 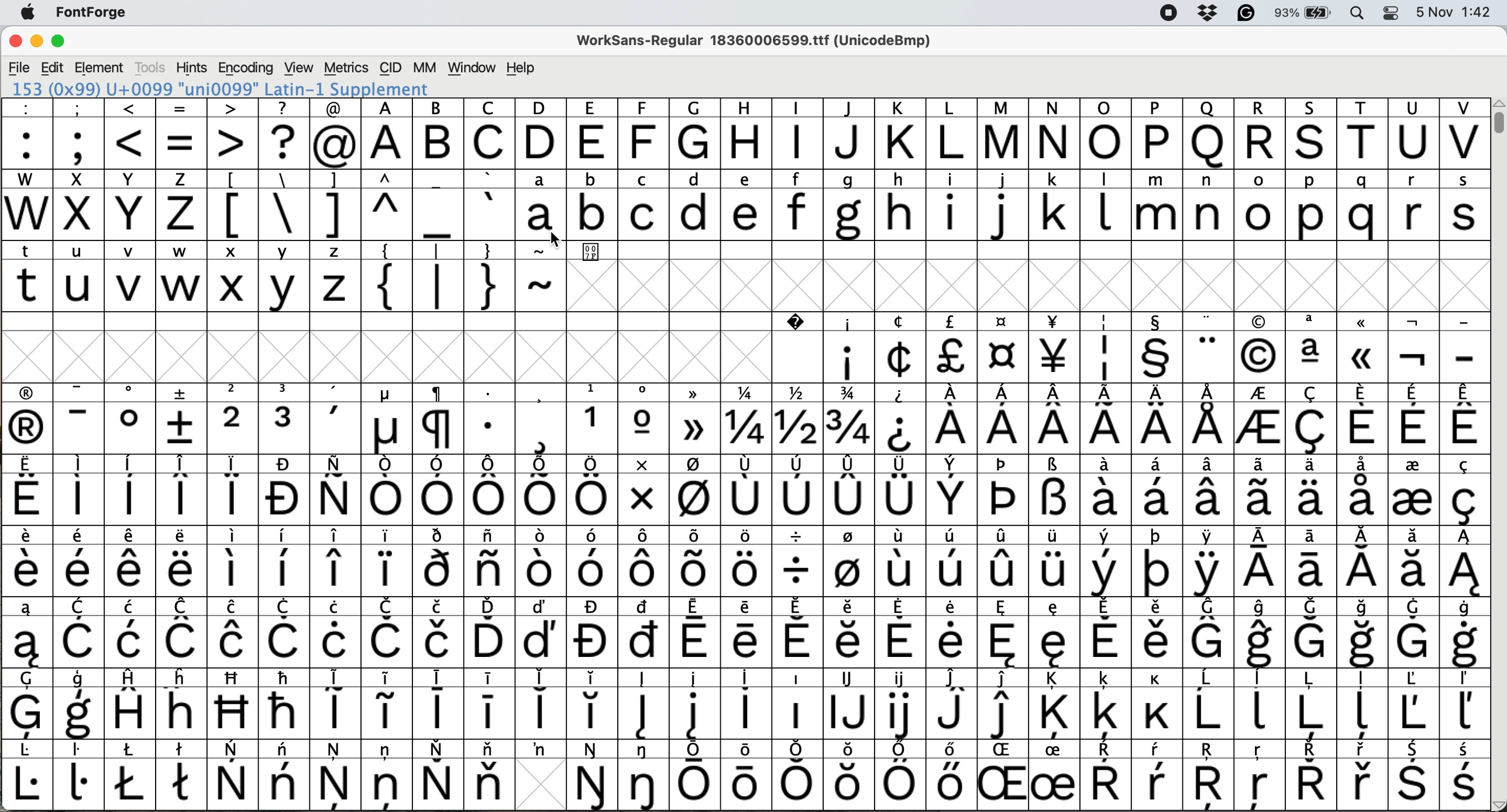 I want to click on symbol, so click(x=1156, y=632).